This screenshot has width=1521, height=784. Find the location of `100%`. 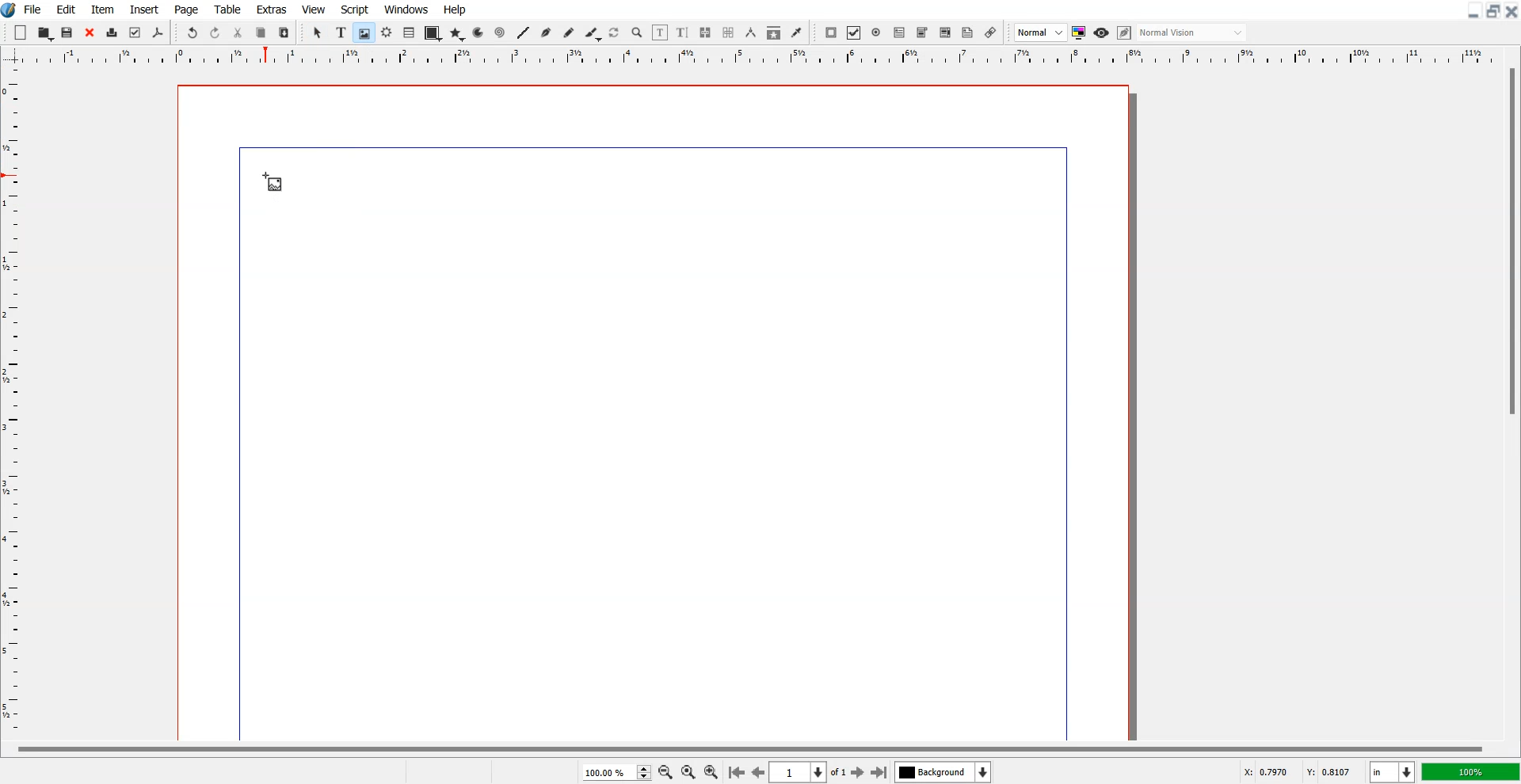

100% is located at coordinates (1470, 771).